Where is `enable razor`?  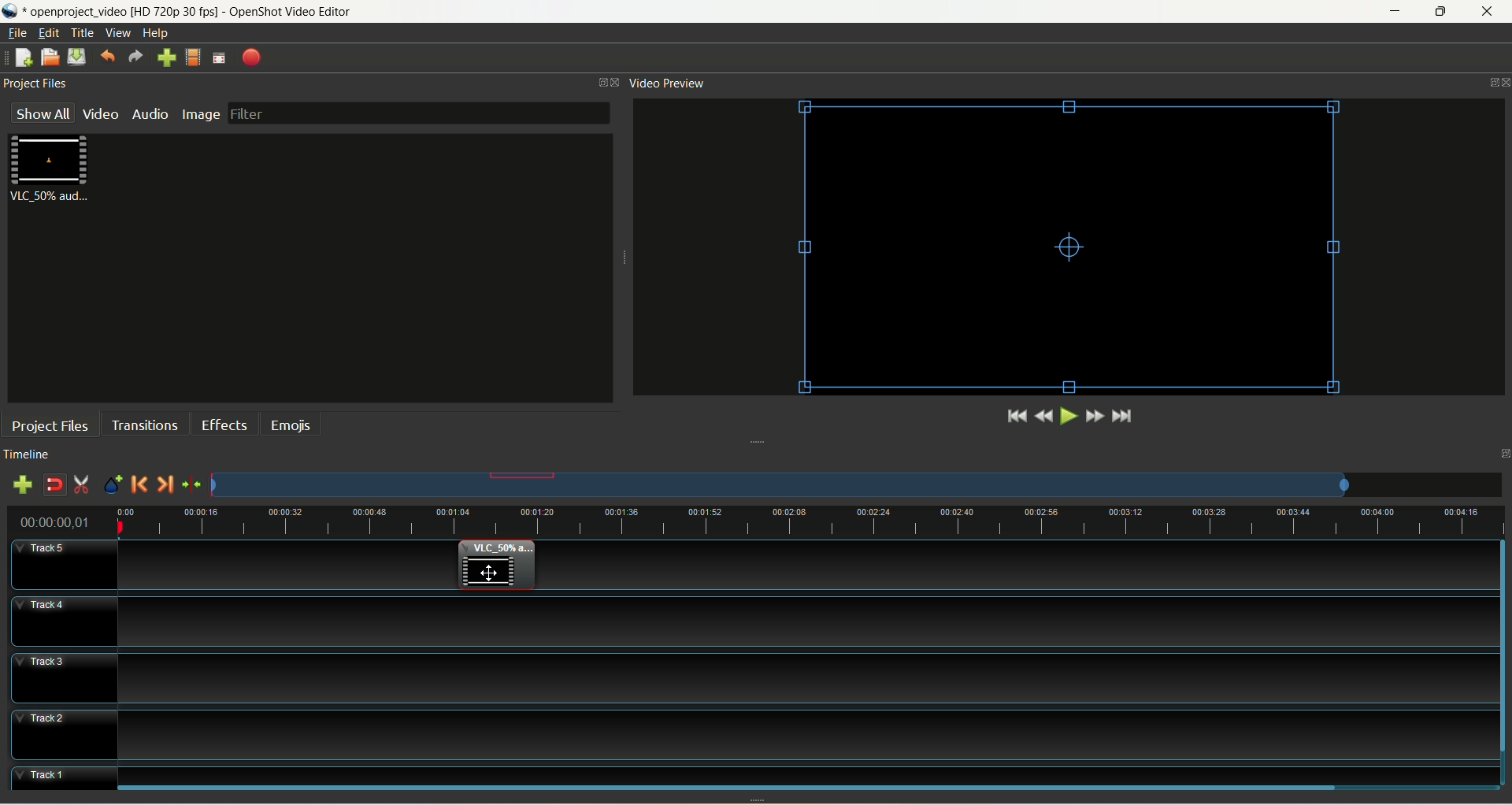
enable razor is located at coordinates (83, 487).